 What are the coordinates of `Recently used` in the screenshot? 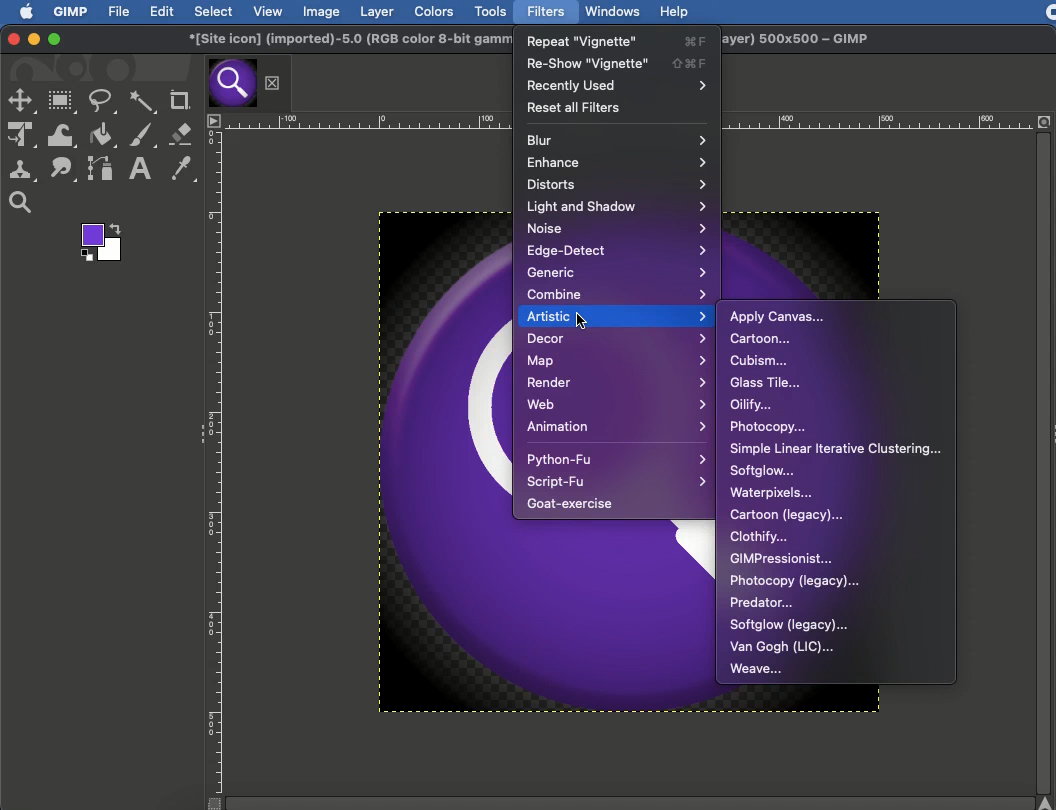 It's located at (616, 85).